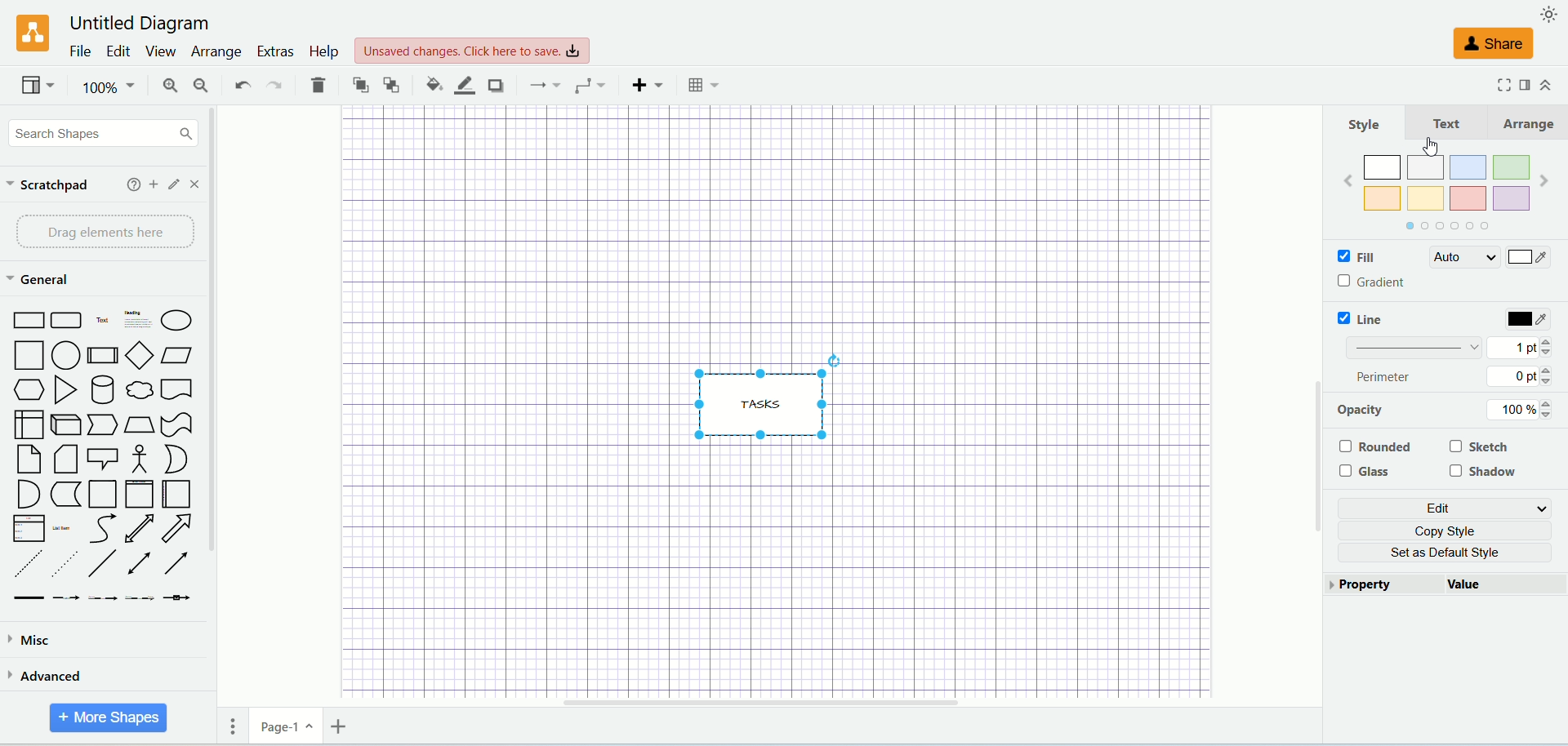  I want to click on Diamond, so click(139, 355).